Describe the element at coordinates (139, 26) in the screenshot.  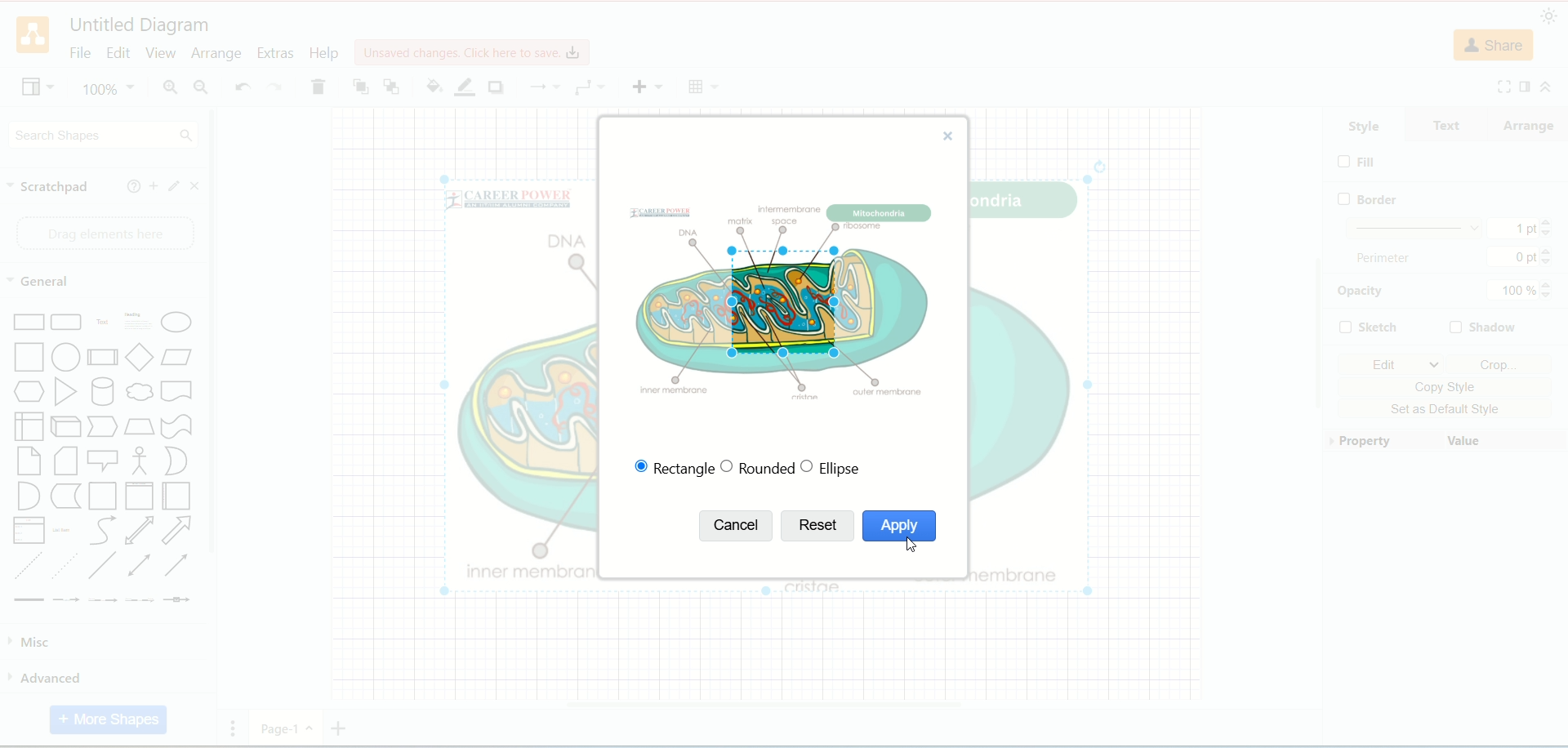
I see `Untitled Diagram` at that location.